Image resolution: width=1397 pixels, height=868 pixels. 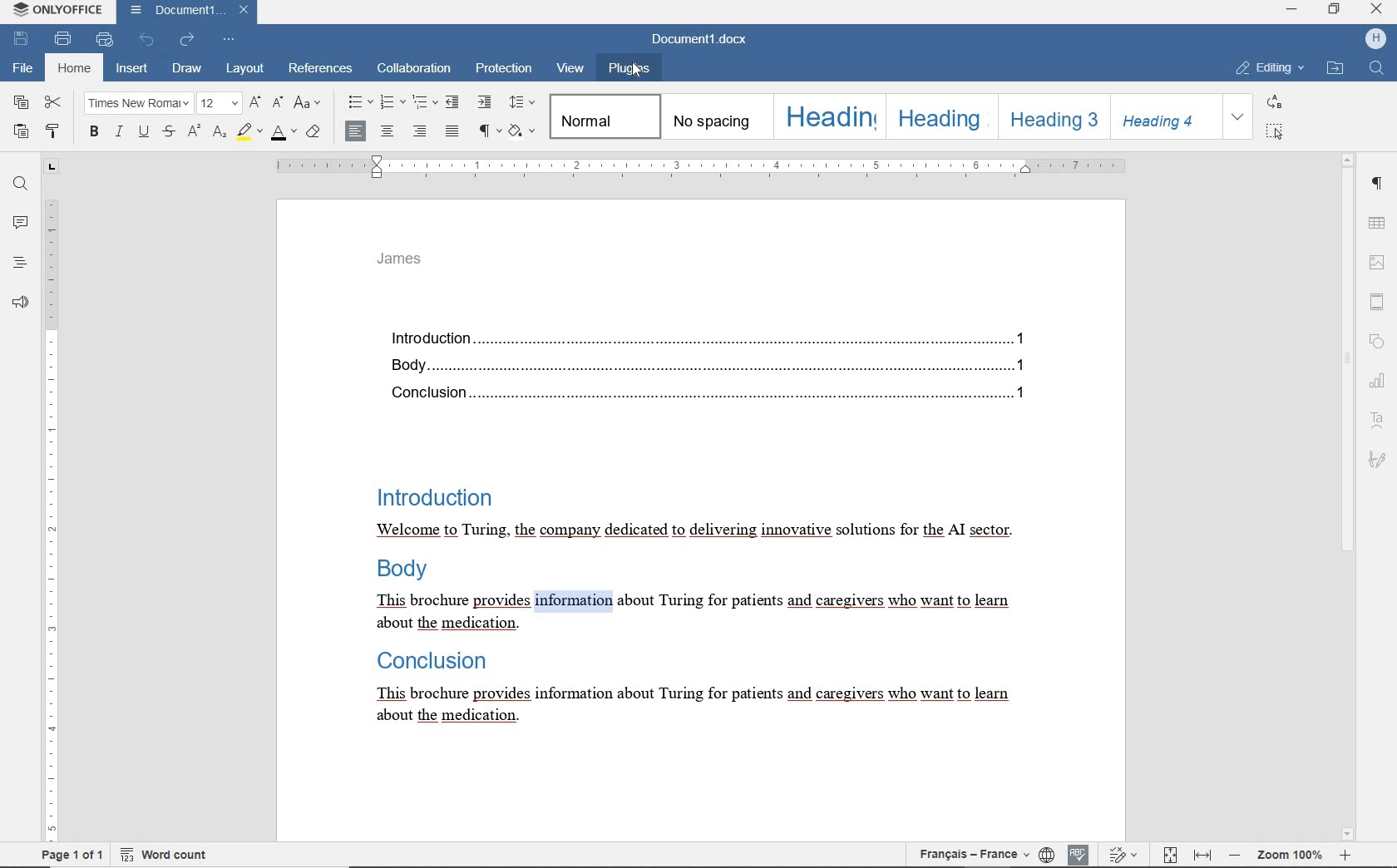 I want to click on DECREMENT FONT SIZE, so click(x=276, y=104).